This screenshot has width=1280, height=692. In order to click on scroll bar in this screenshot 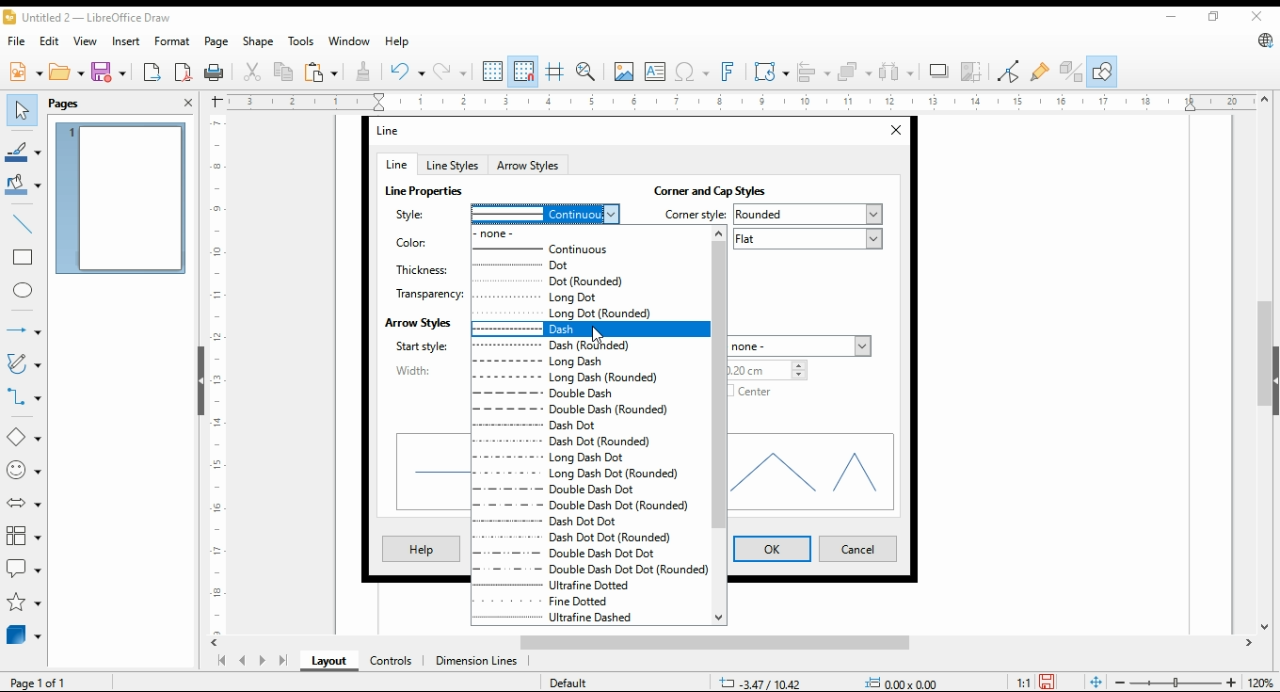, I will do `click(740, 644)`.